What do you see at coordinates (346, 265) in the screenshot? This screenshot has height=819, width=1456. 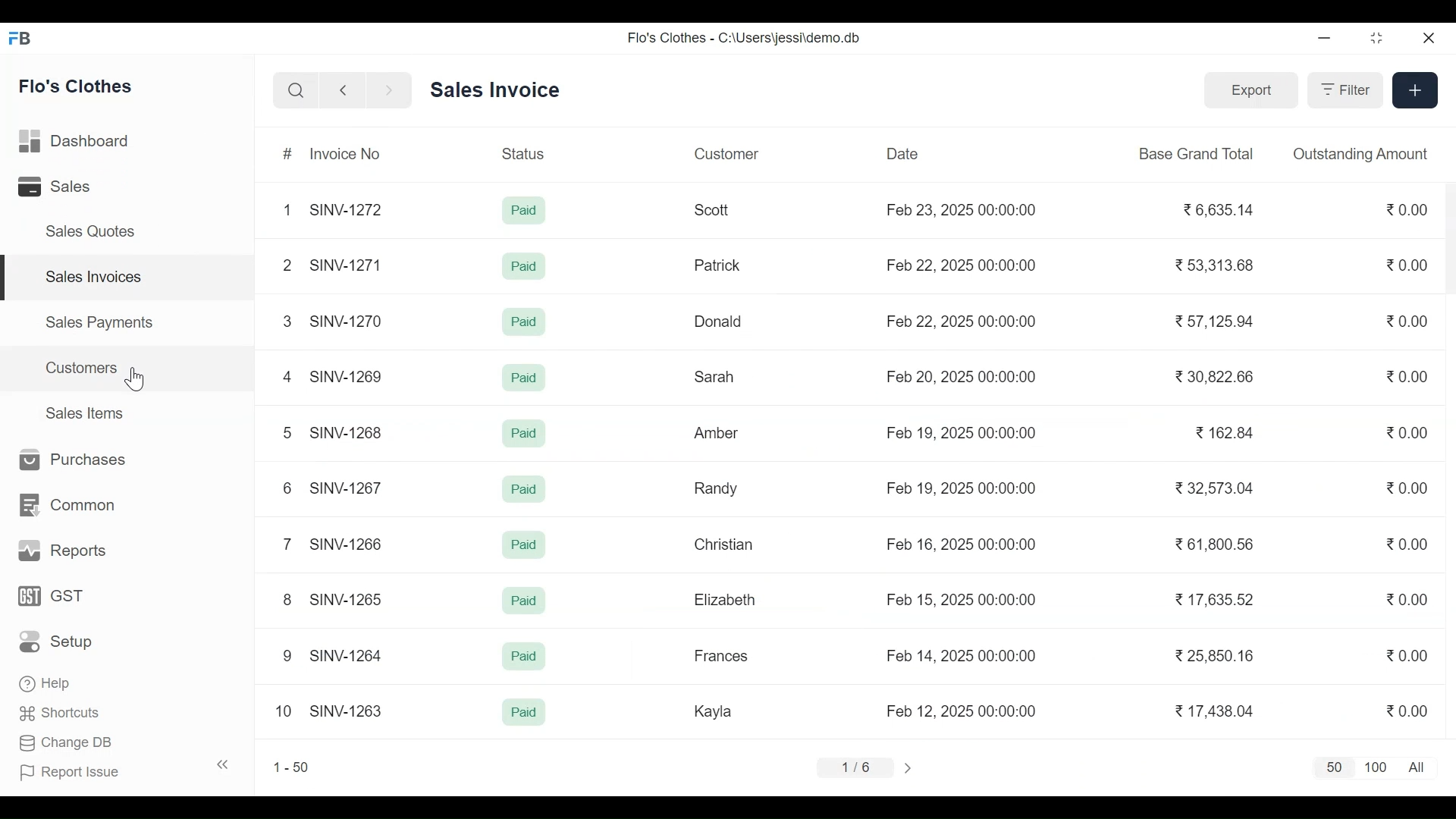 I see `SINV-1271` at bounding box center [346, 265].